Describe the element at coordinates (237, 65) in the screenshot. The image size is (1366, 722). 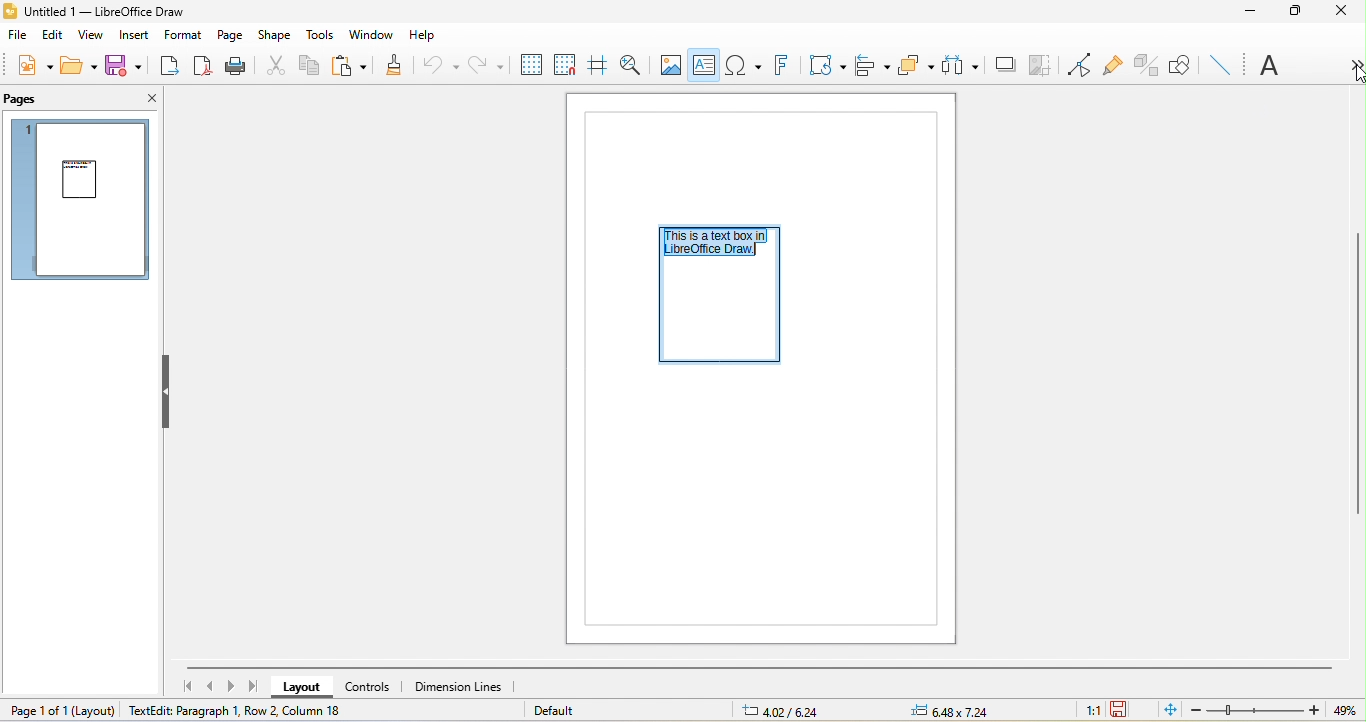
I see `print` at that location.